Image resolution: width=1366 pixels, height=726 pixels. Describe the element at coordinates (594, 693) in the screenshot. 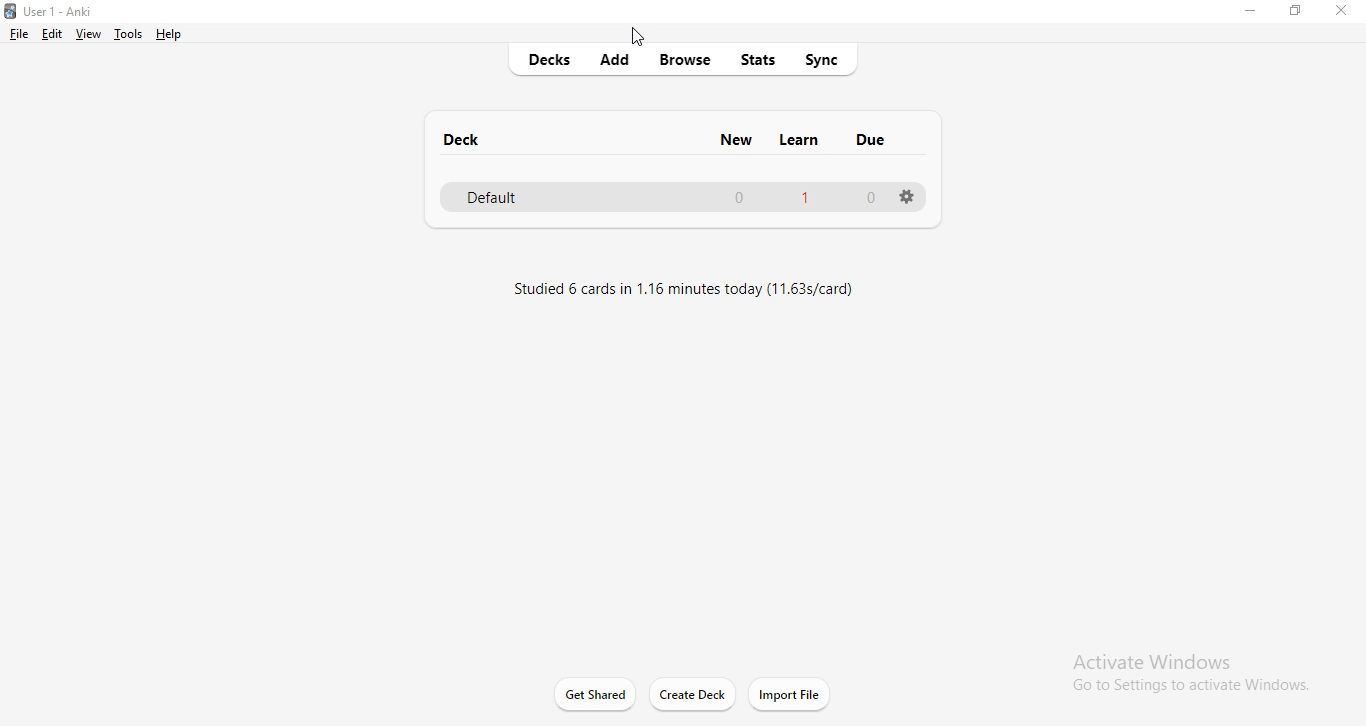

I see `get started` at that location.